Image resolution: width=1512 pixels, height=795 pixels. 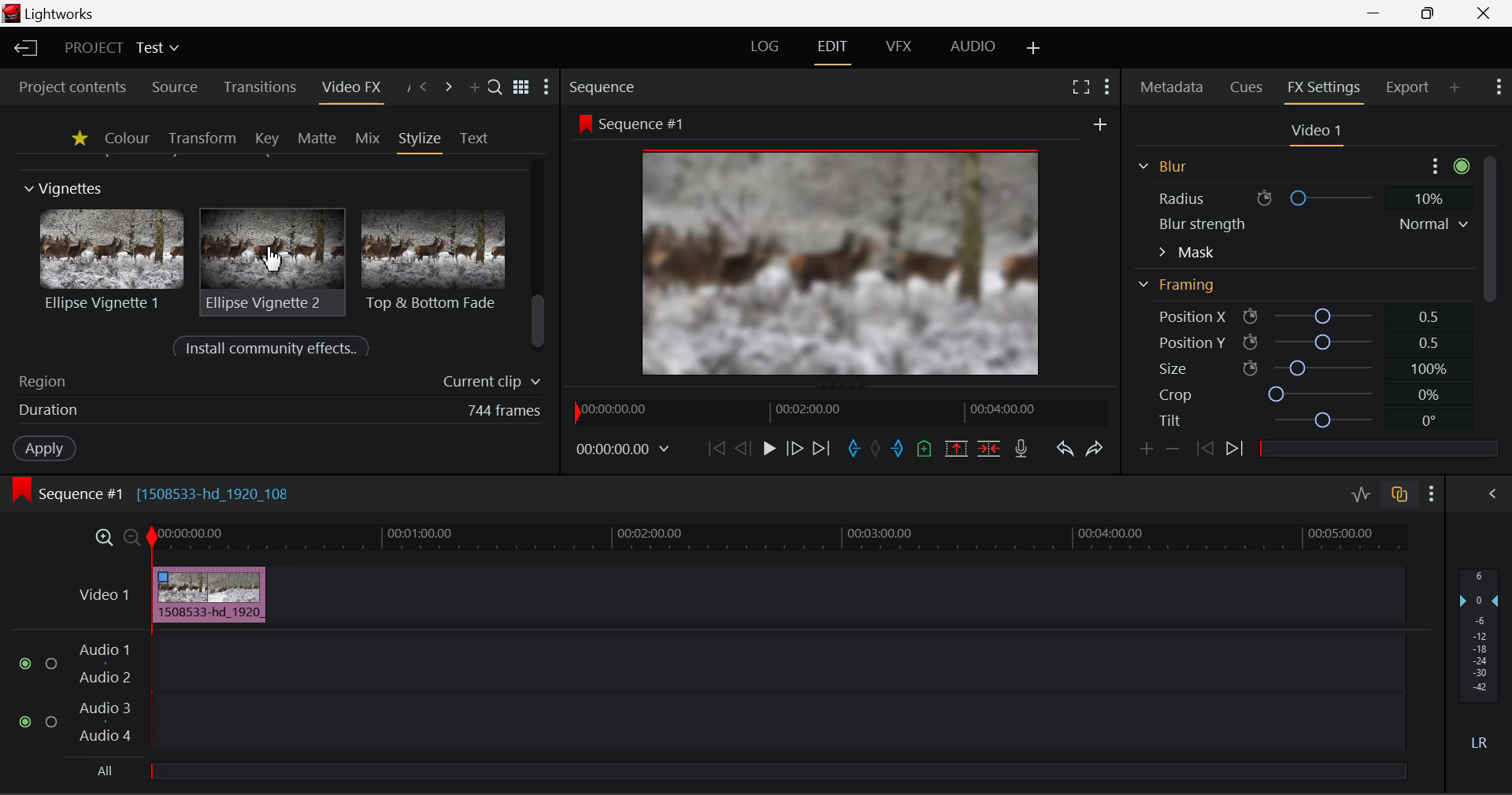 I want to click on Video Layer, so click(x=101, y=593).